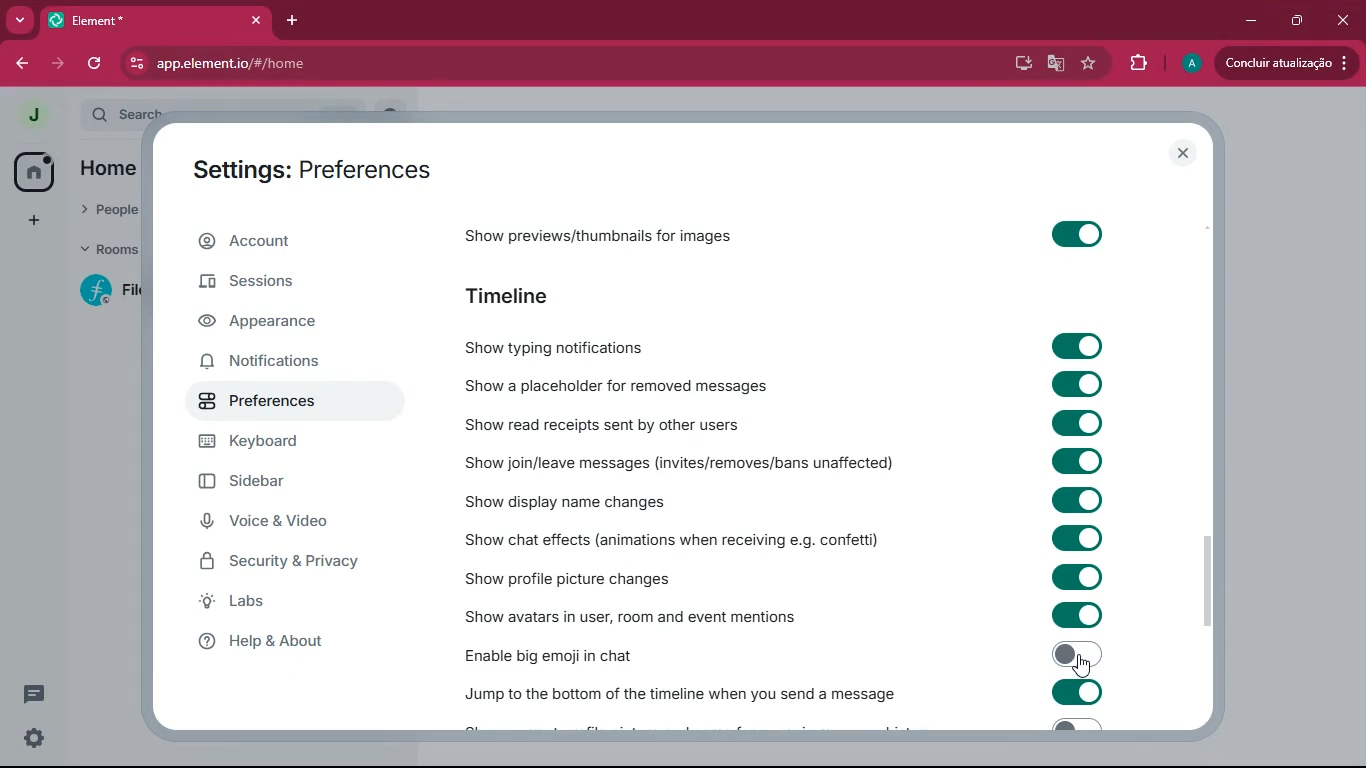 Image resolution: width=1366 pixels, height=768 pixels. Describe the element at coordinates (511, 297) in the screenshot. I see `timeline` at that location.